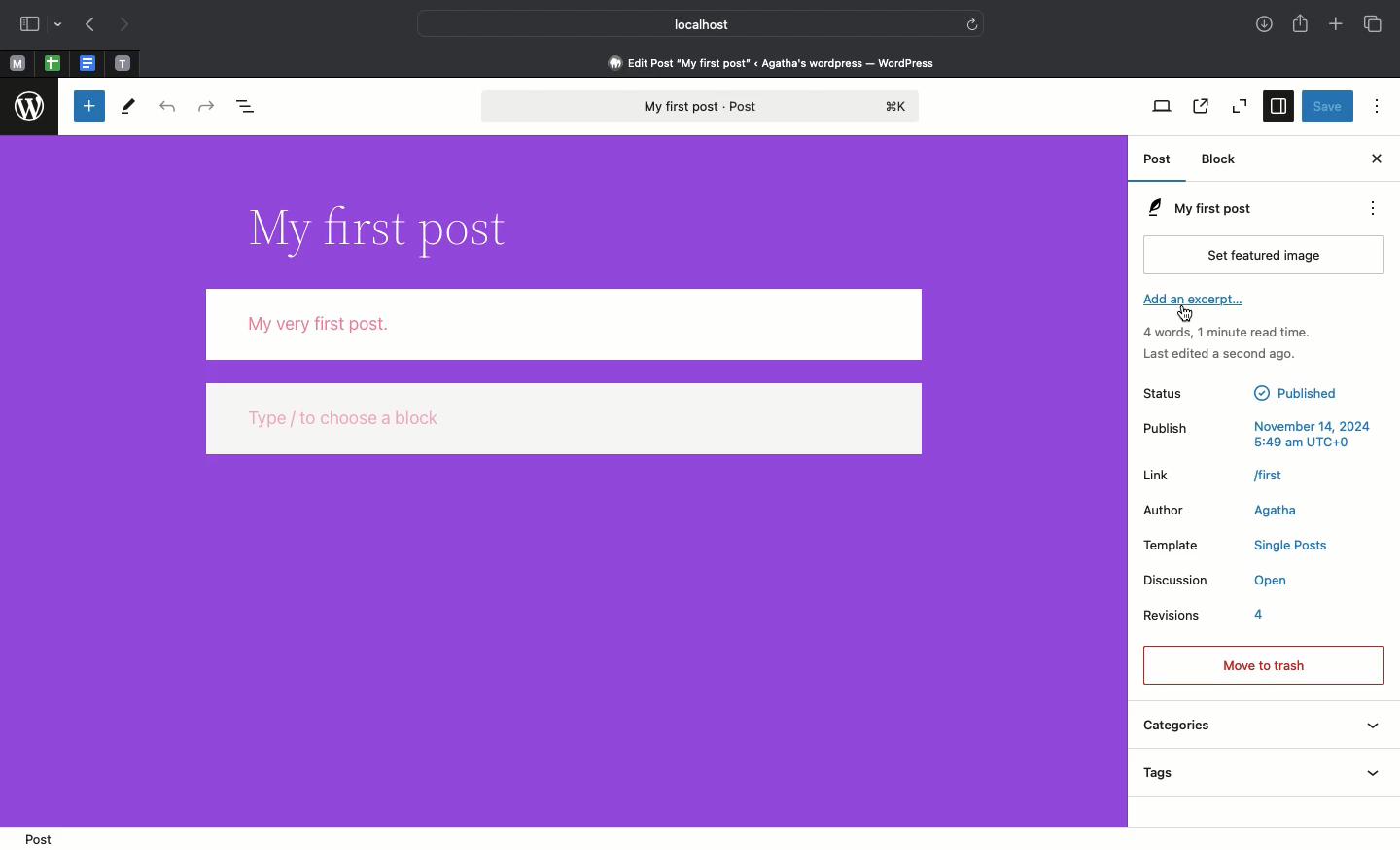  I want to click on word document tab, so click(85, 62).